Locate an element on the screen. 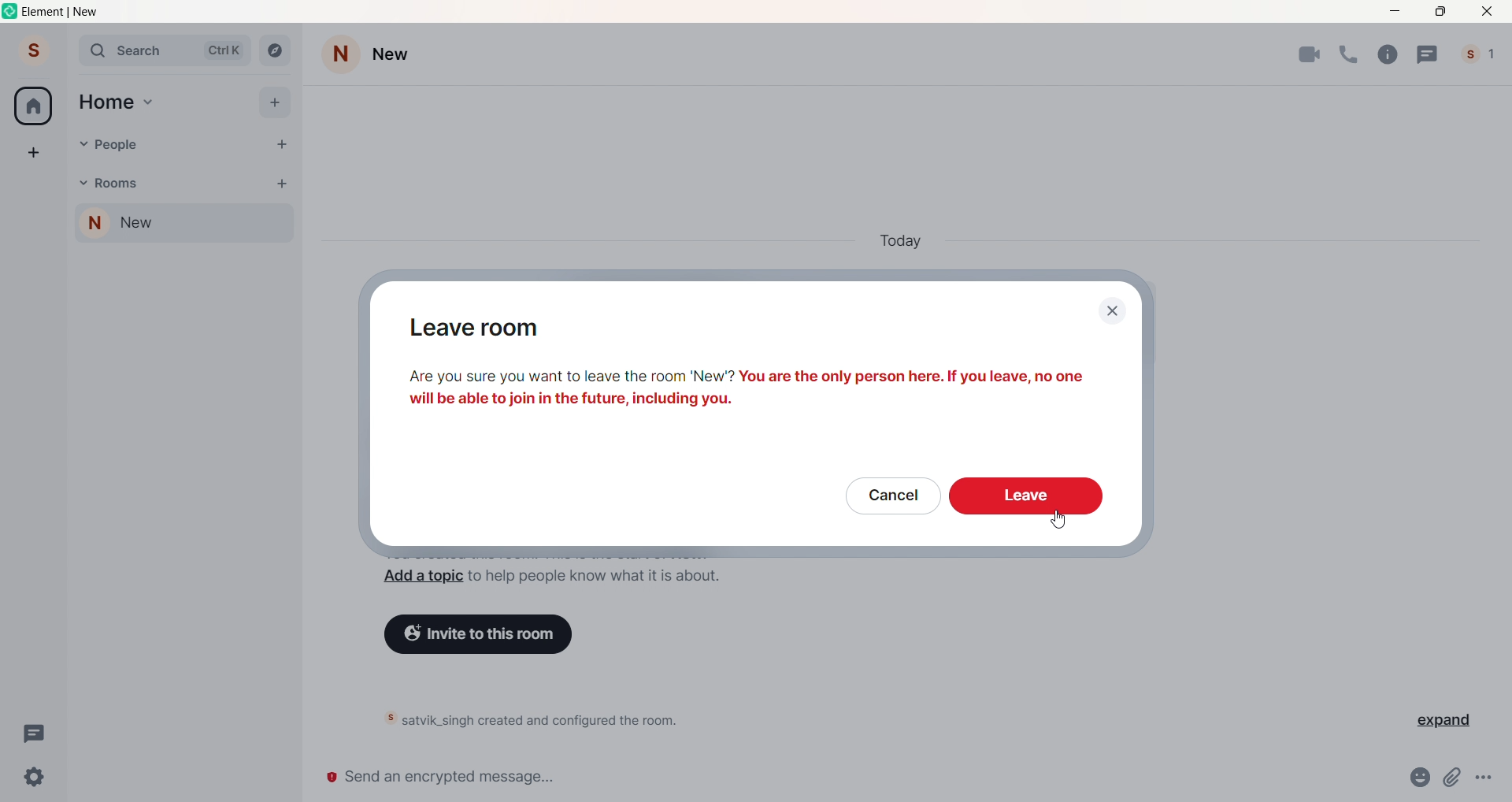  Search bar is located at coordinates (164, 50).